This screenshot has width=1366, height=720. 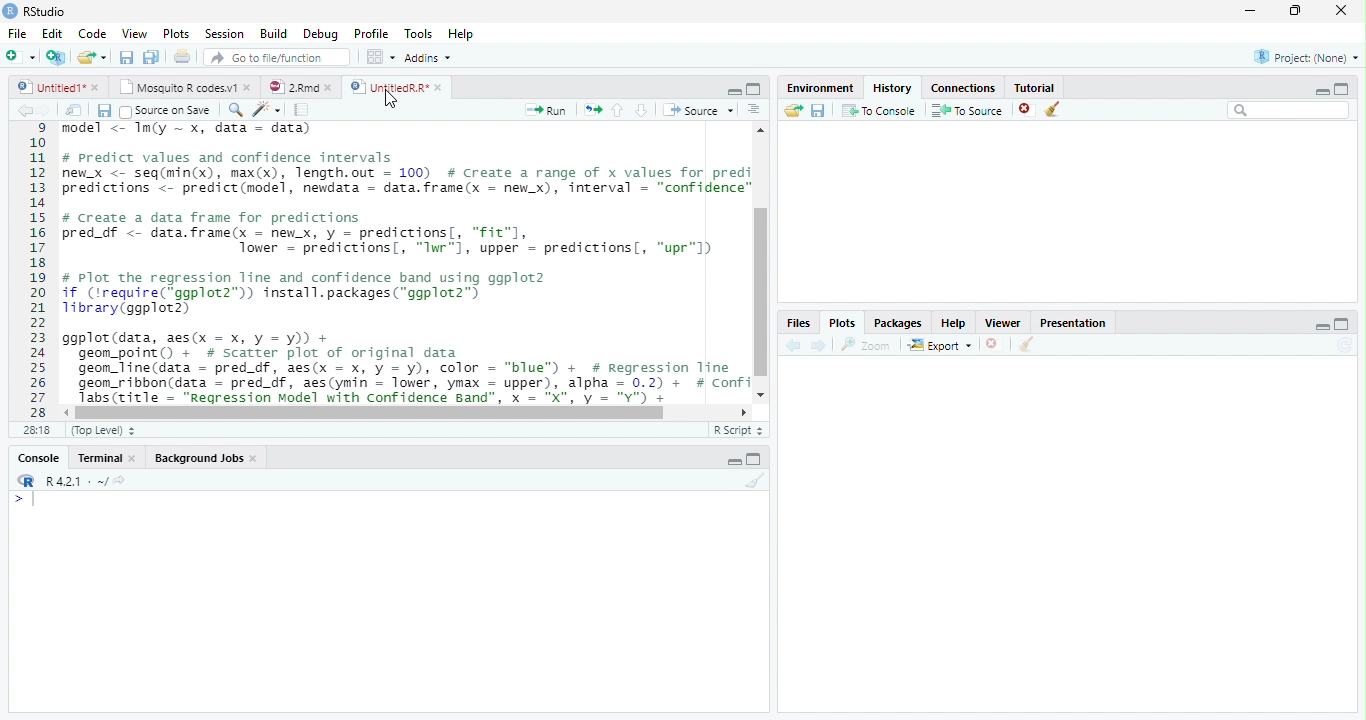 What do you see at coordinates (590, 109) in the screenshot?
I see `Move pages` at bounding box center [590, 109].